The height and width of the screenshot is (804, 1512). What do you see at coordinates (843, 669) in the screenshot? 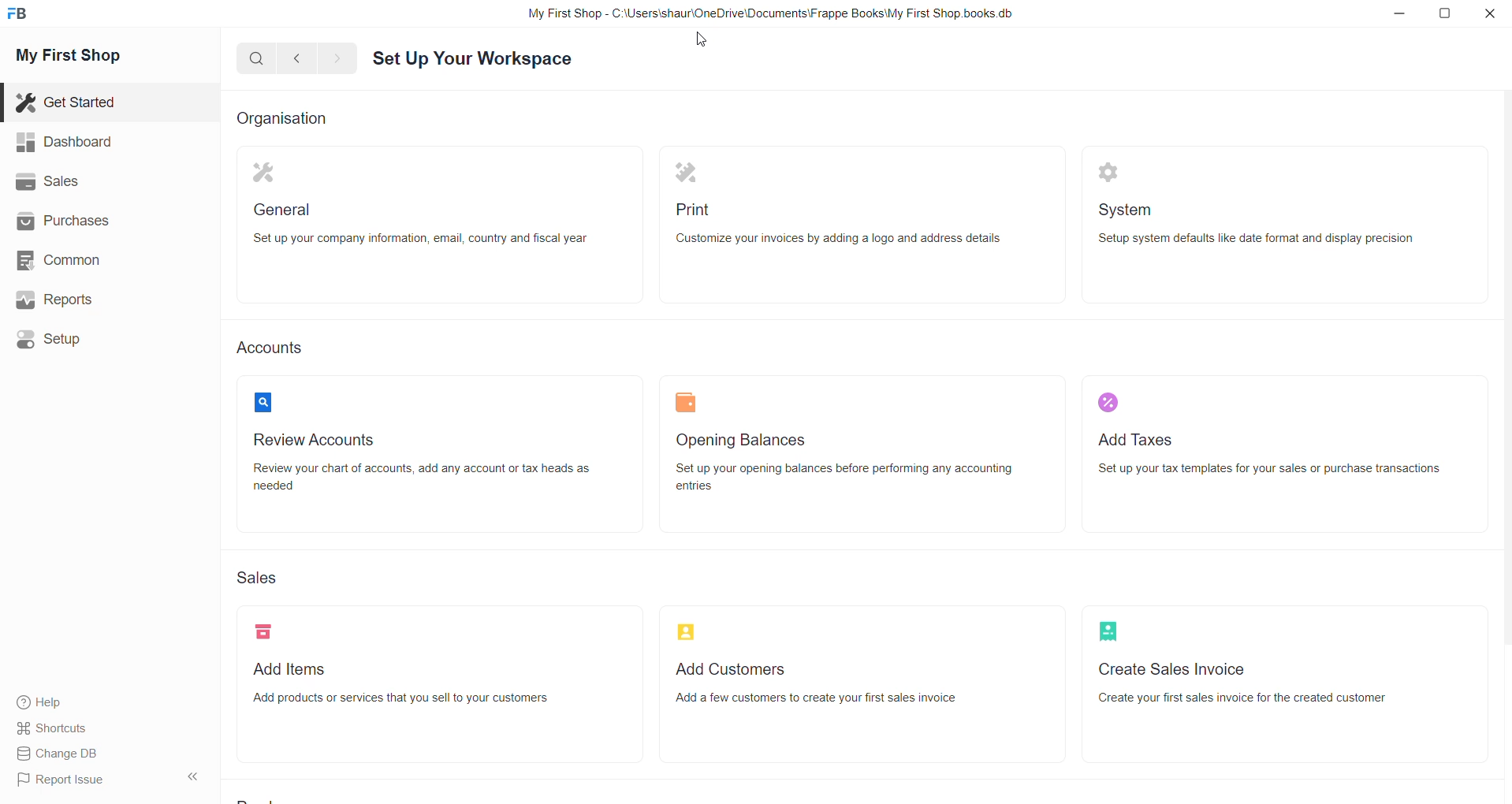
I see `Add customers ` at bounding box center [843, 669].